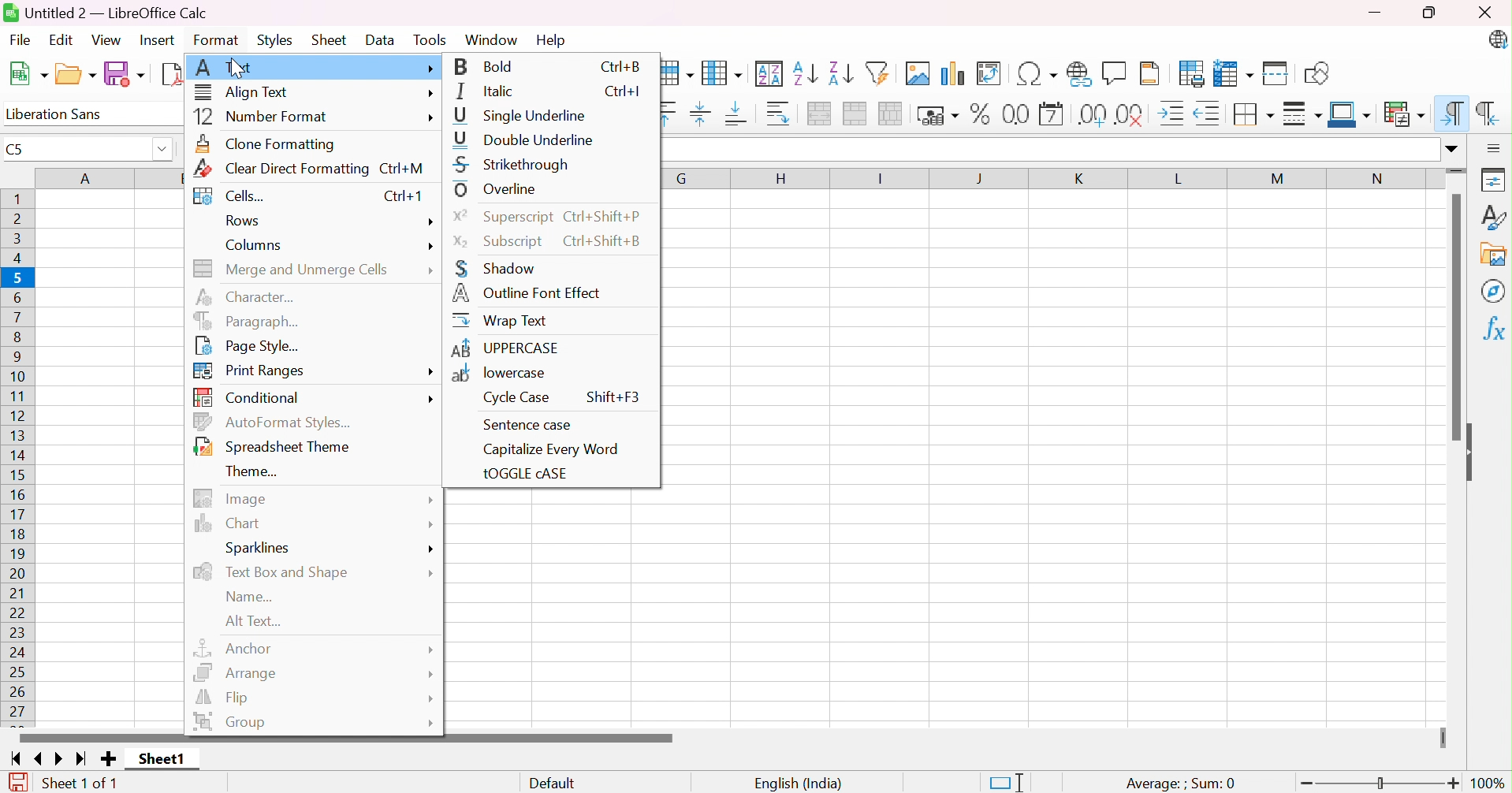 Image resolution: width=1512 pixels, height=793 pixels. Describe the element at coordinates (1304, 116) in the screenshot. I see `Border Style` at that location.